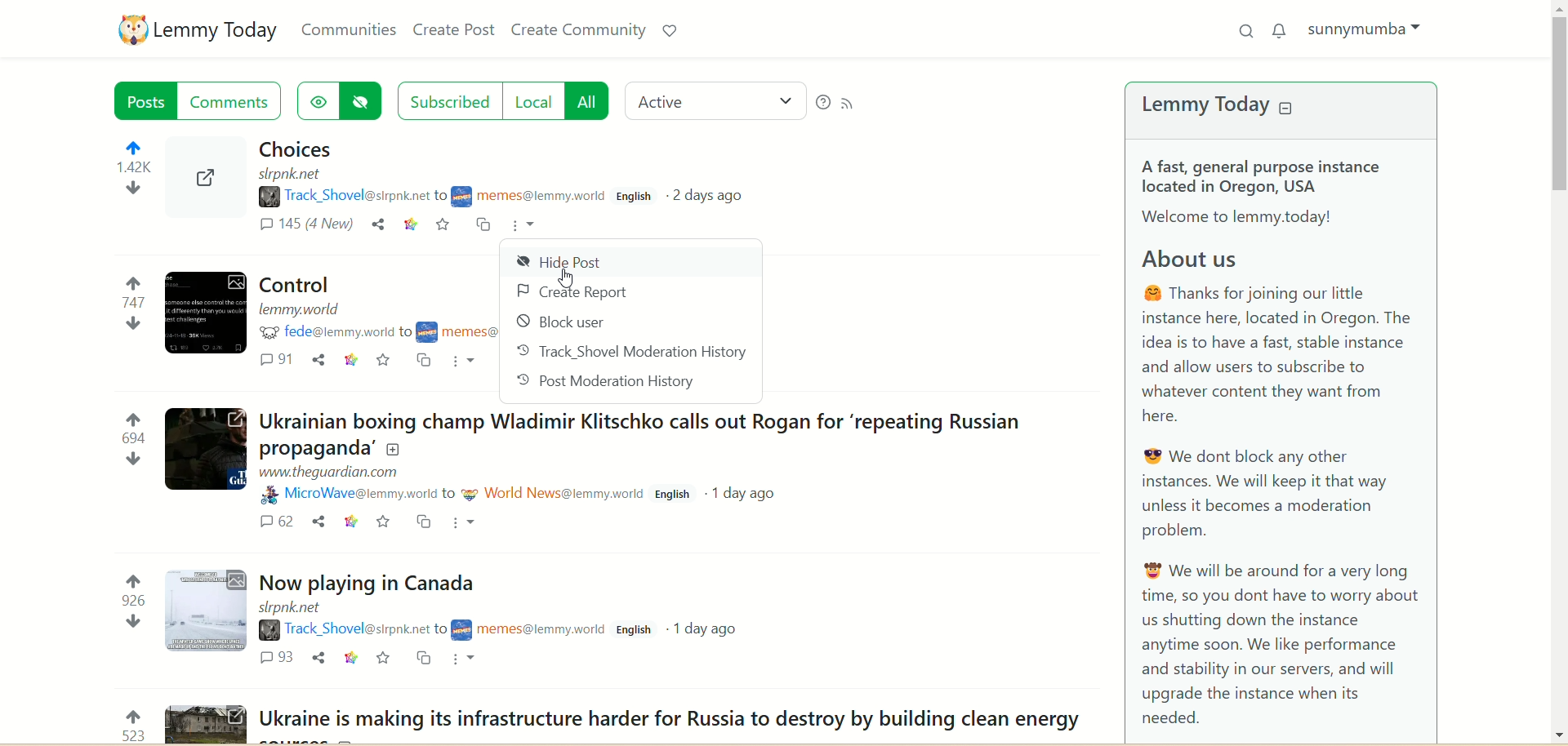  I want to click on active, so click(715, 97).